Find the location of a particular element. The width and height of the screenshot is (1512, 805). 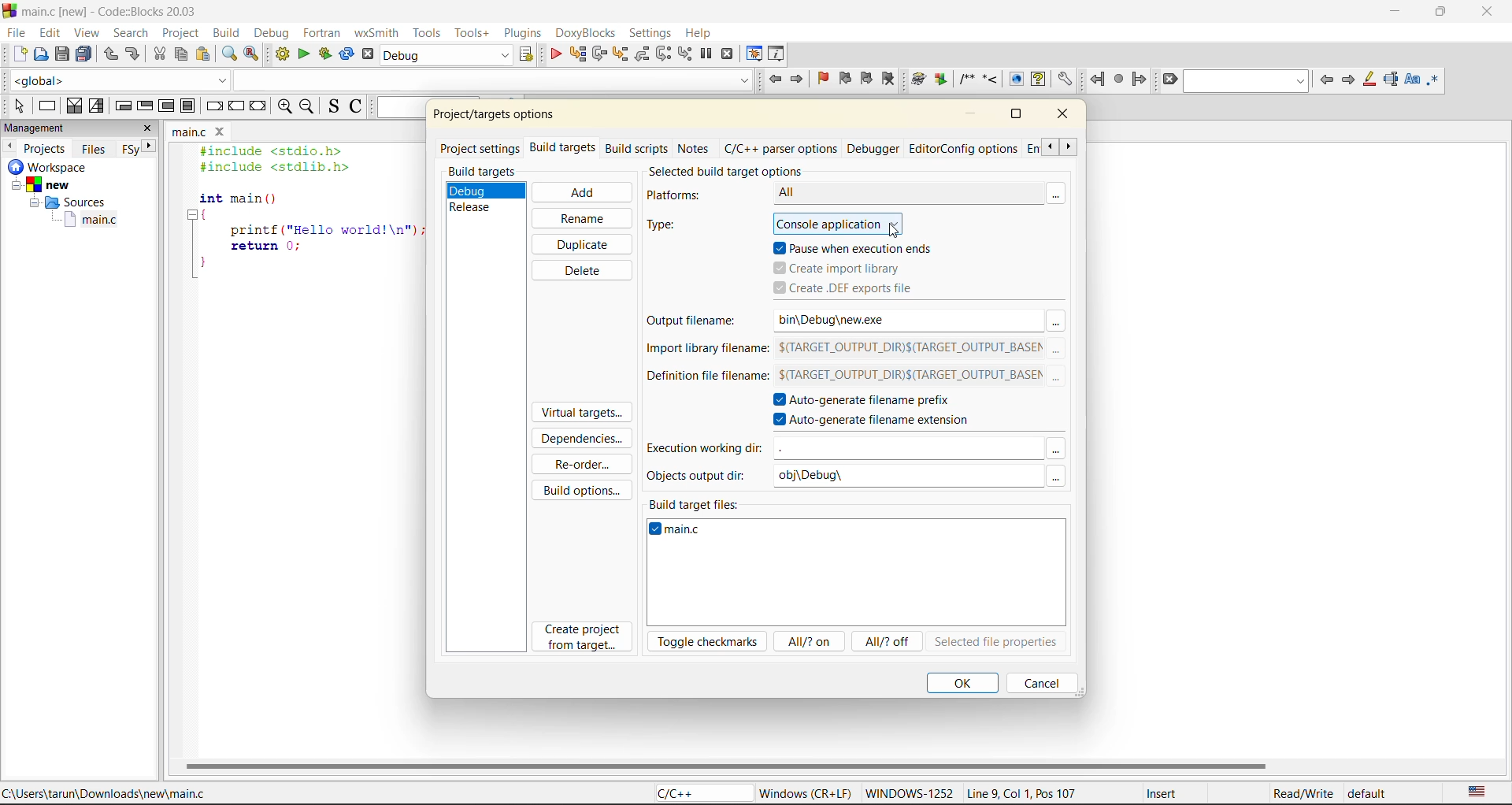

build options is located at coordinates (586, 492).